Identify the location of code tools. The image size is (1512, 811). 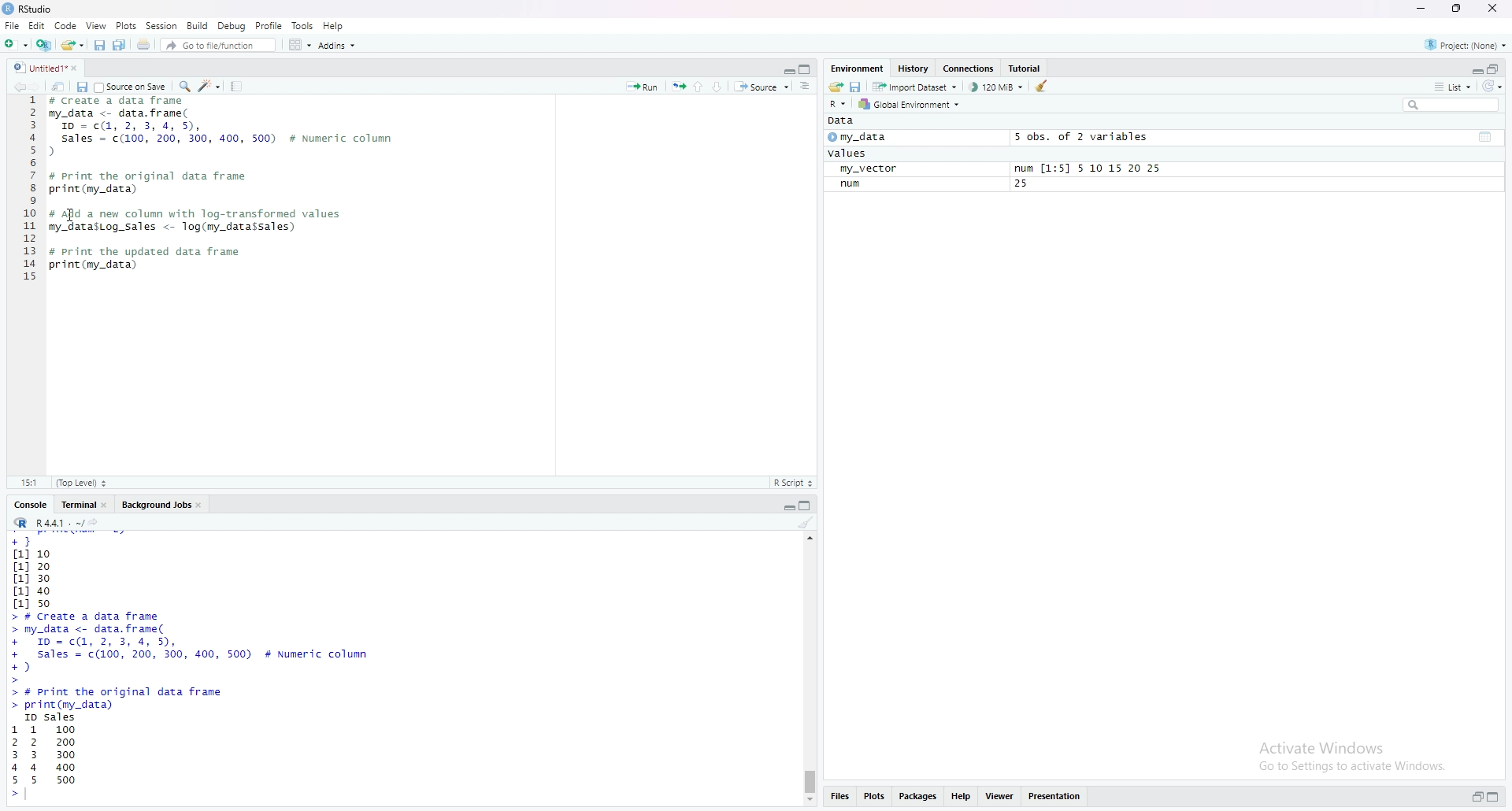
(209, 88).